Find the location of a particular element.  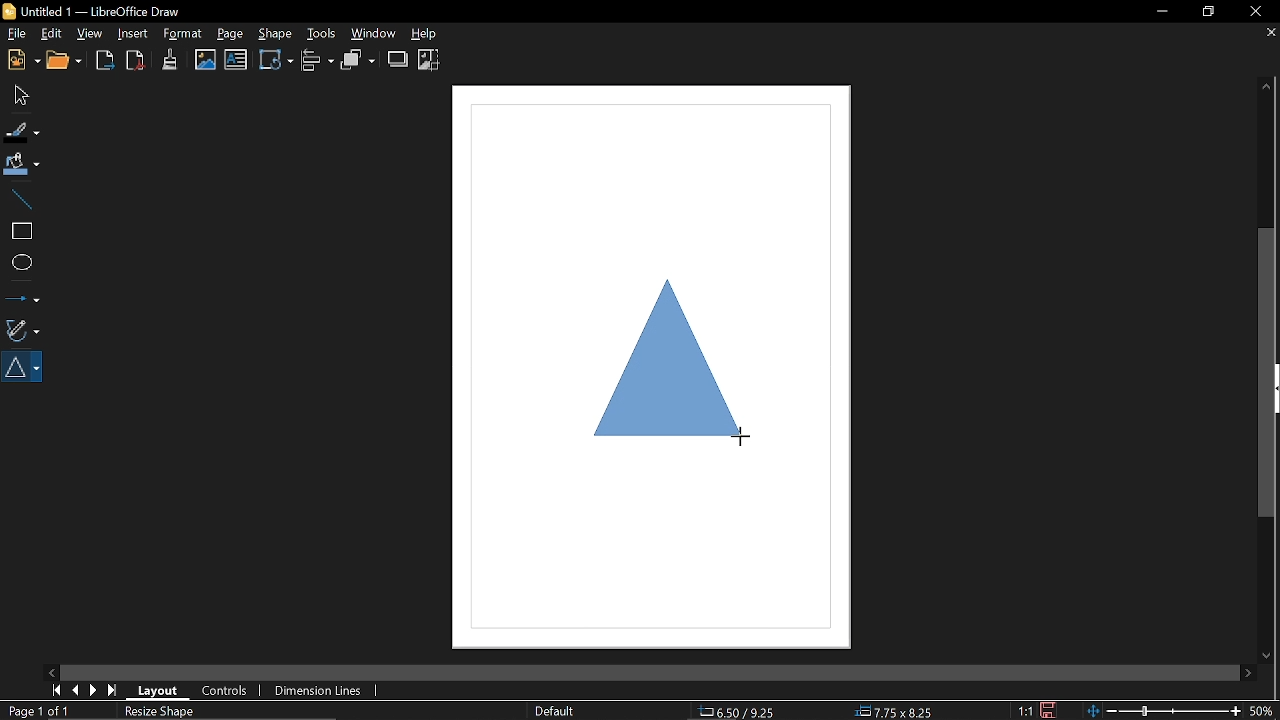

Previous page is located at coordinates (75, 691).